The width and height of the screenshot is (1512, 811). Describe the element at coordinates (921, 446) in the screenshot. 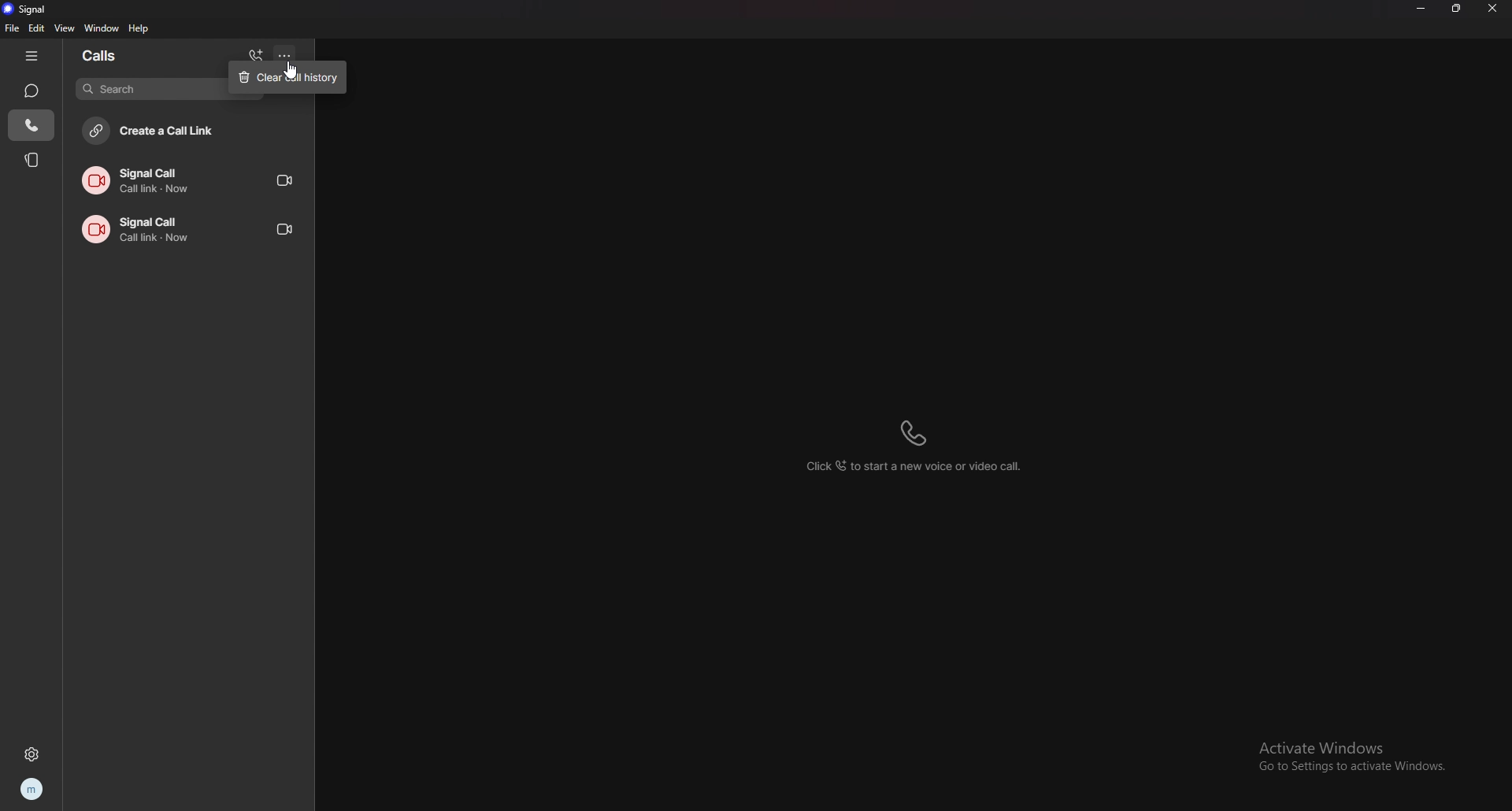

I see `click to start a new voice or video call` at that location.